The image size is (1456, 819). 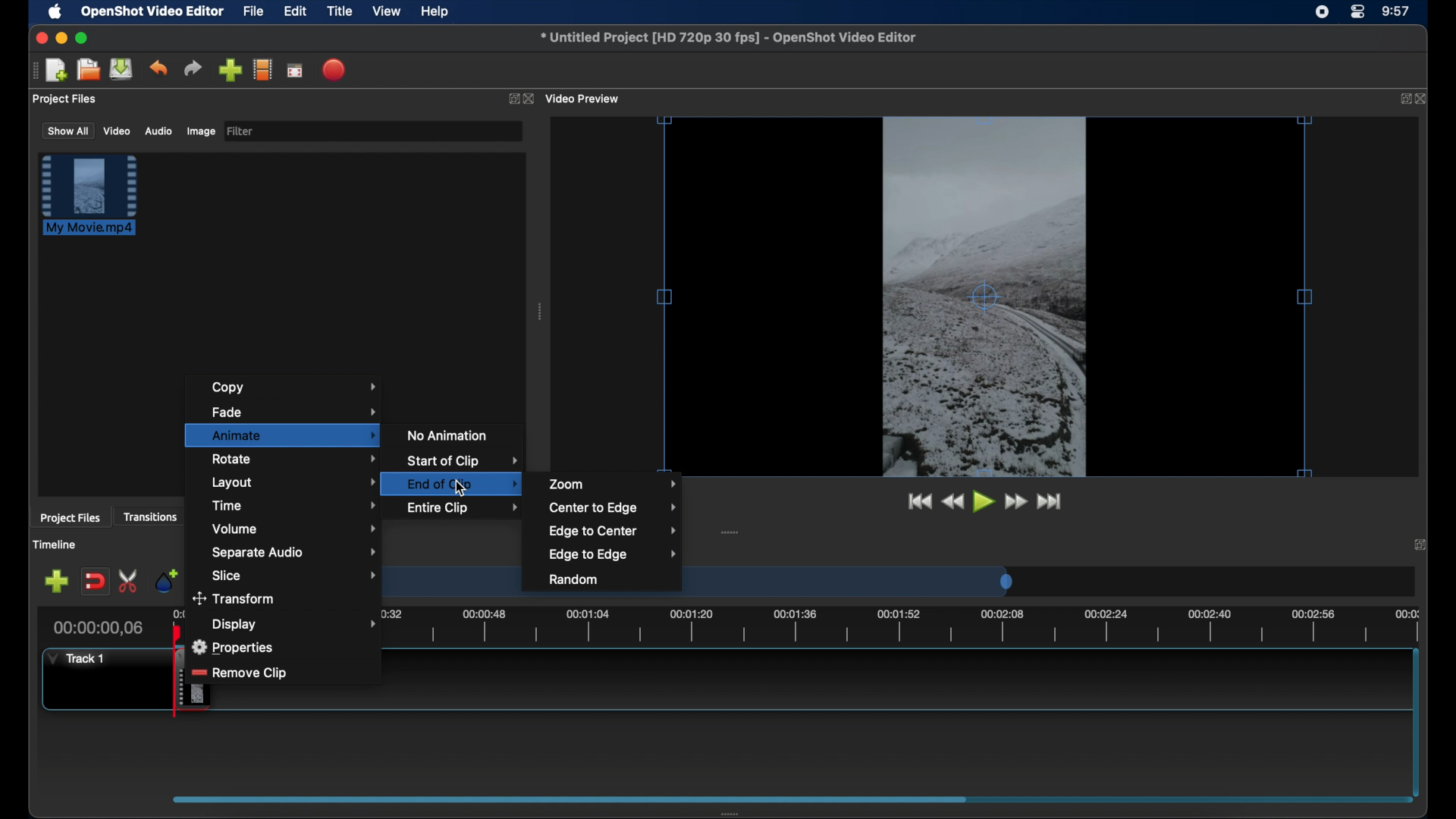 I want to click on audio, so click(x=158, y=131).